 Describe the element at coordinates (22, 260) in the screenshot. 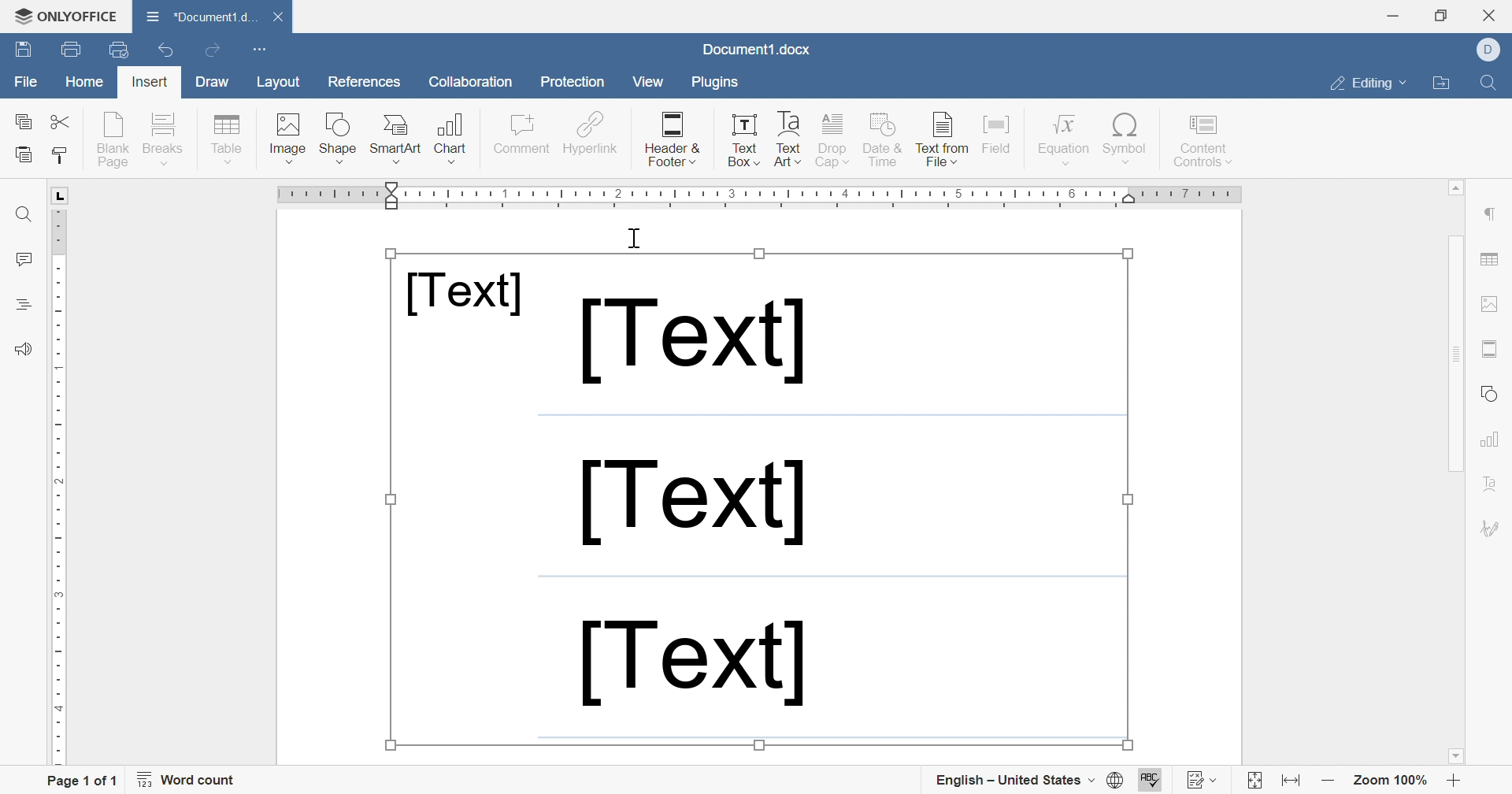

I see `Comments` at that location.